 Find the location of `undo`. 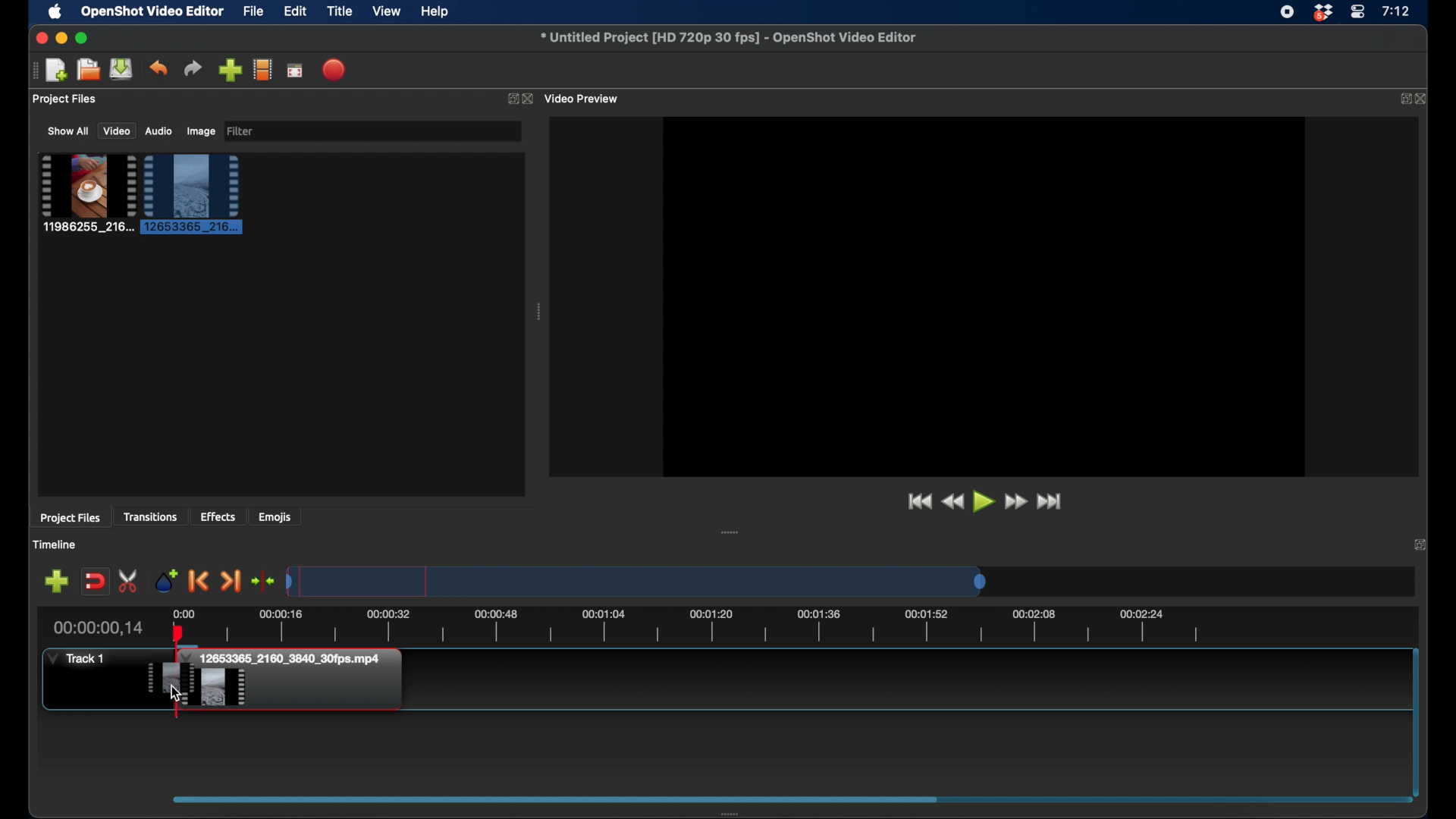

undo is located at coordinates (158, 68).